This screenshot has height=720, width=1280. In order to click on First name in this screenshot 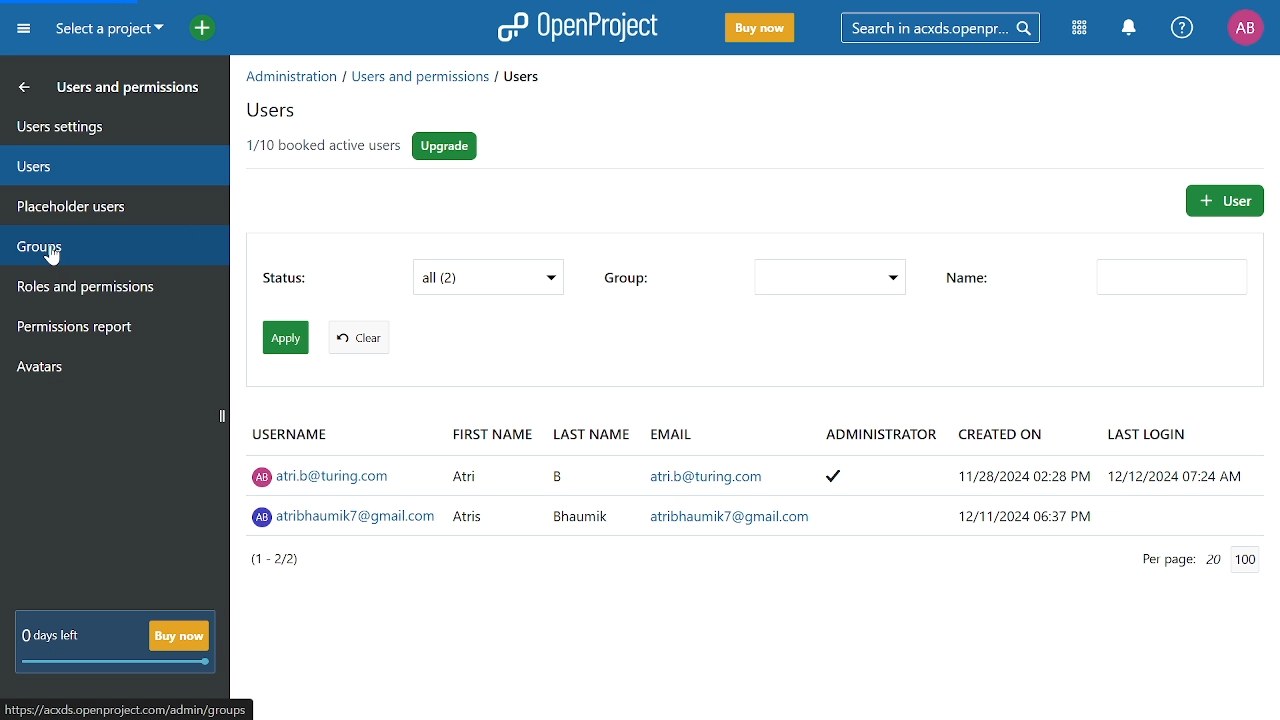, I will do `click(492, 433)`.